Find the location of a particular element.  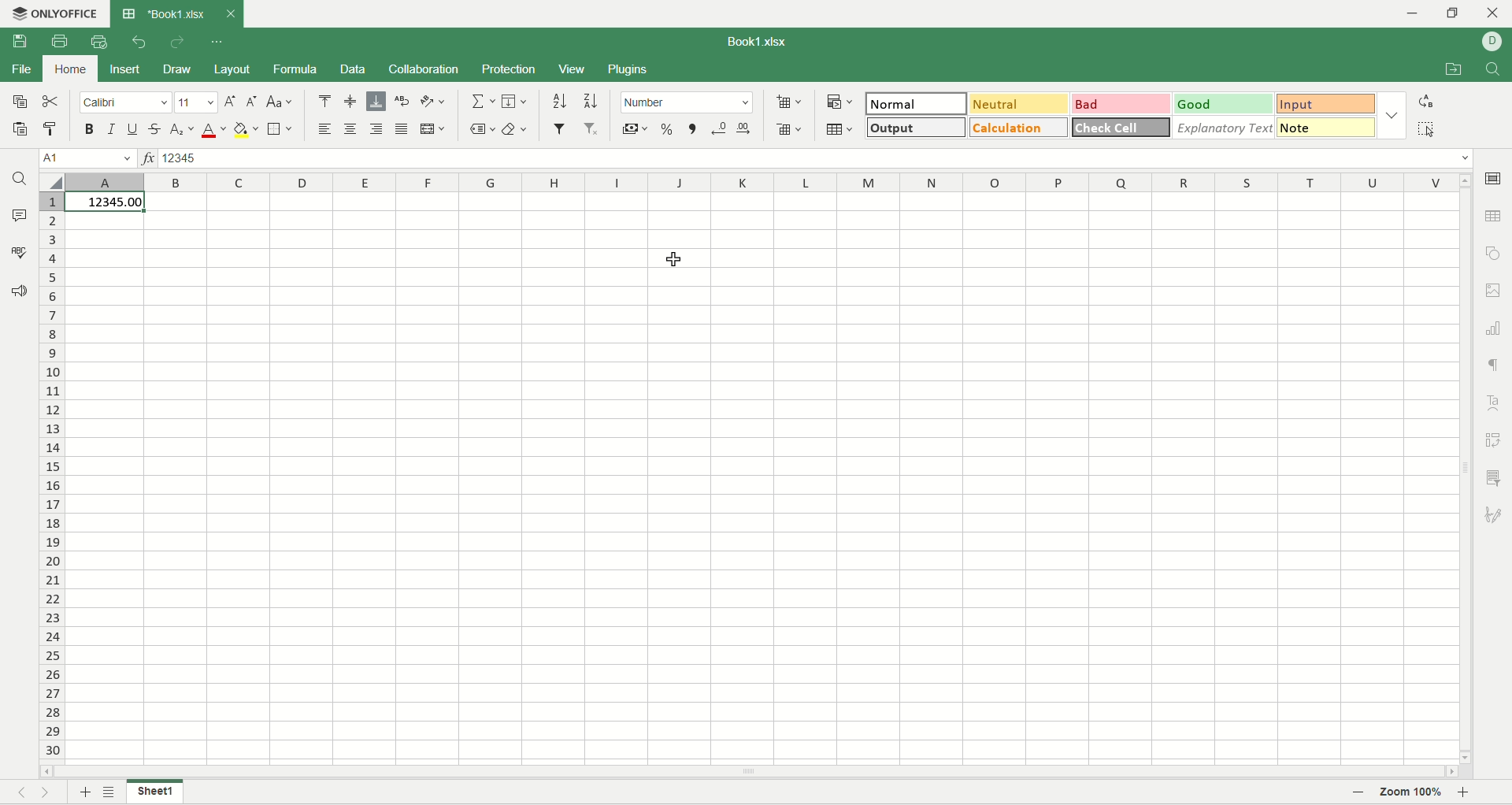

align center is located at coordinates (351, 129).